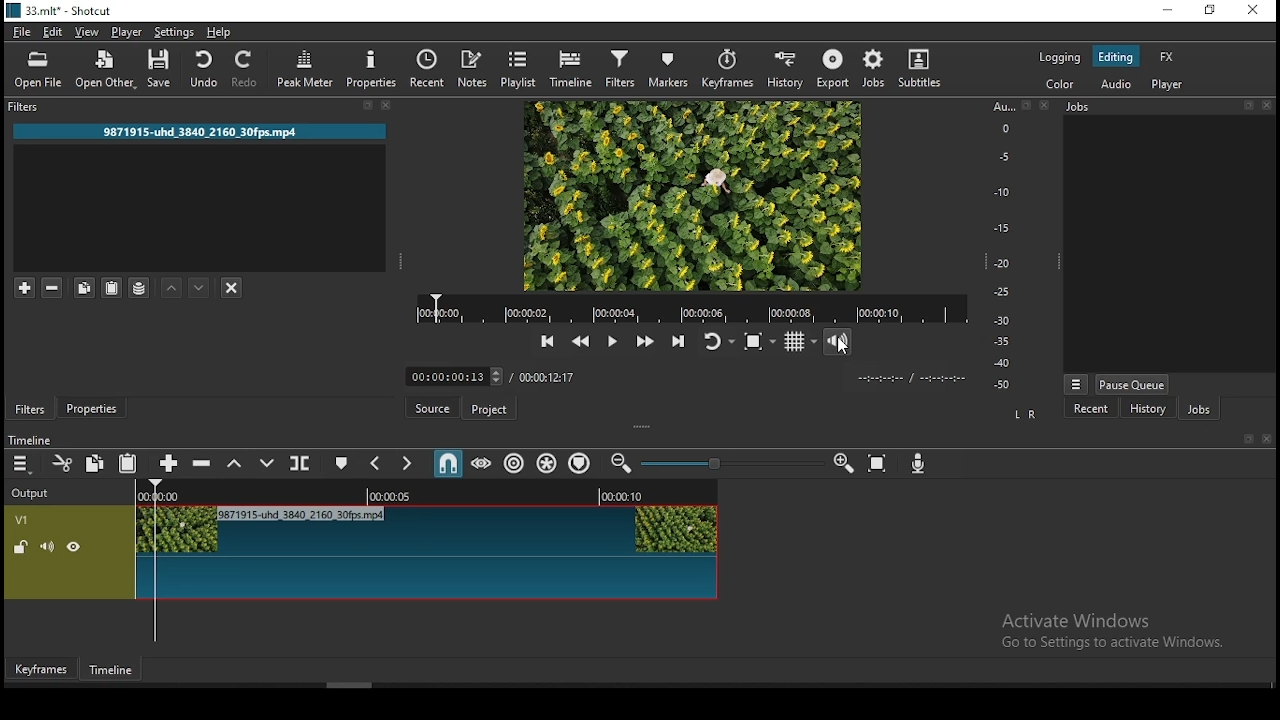  I want to click on bookmark, so click(1245, 439).